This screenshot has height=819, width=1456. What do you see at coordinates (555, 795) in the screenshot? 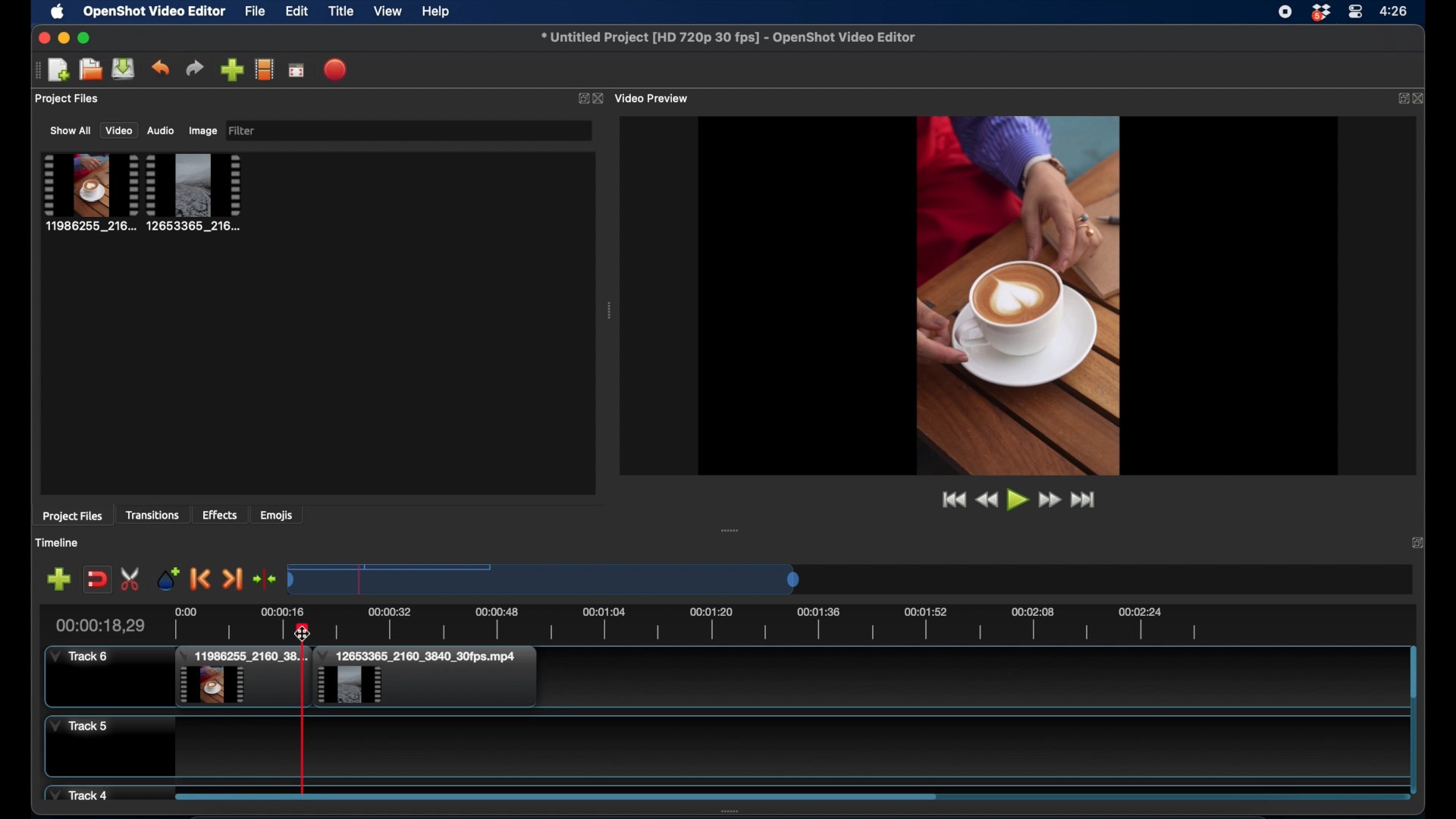
I see `scroll bar` at bounding box center [555, 795].